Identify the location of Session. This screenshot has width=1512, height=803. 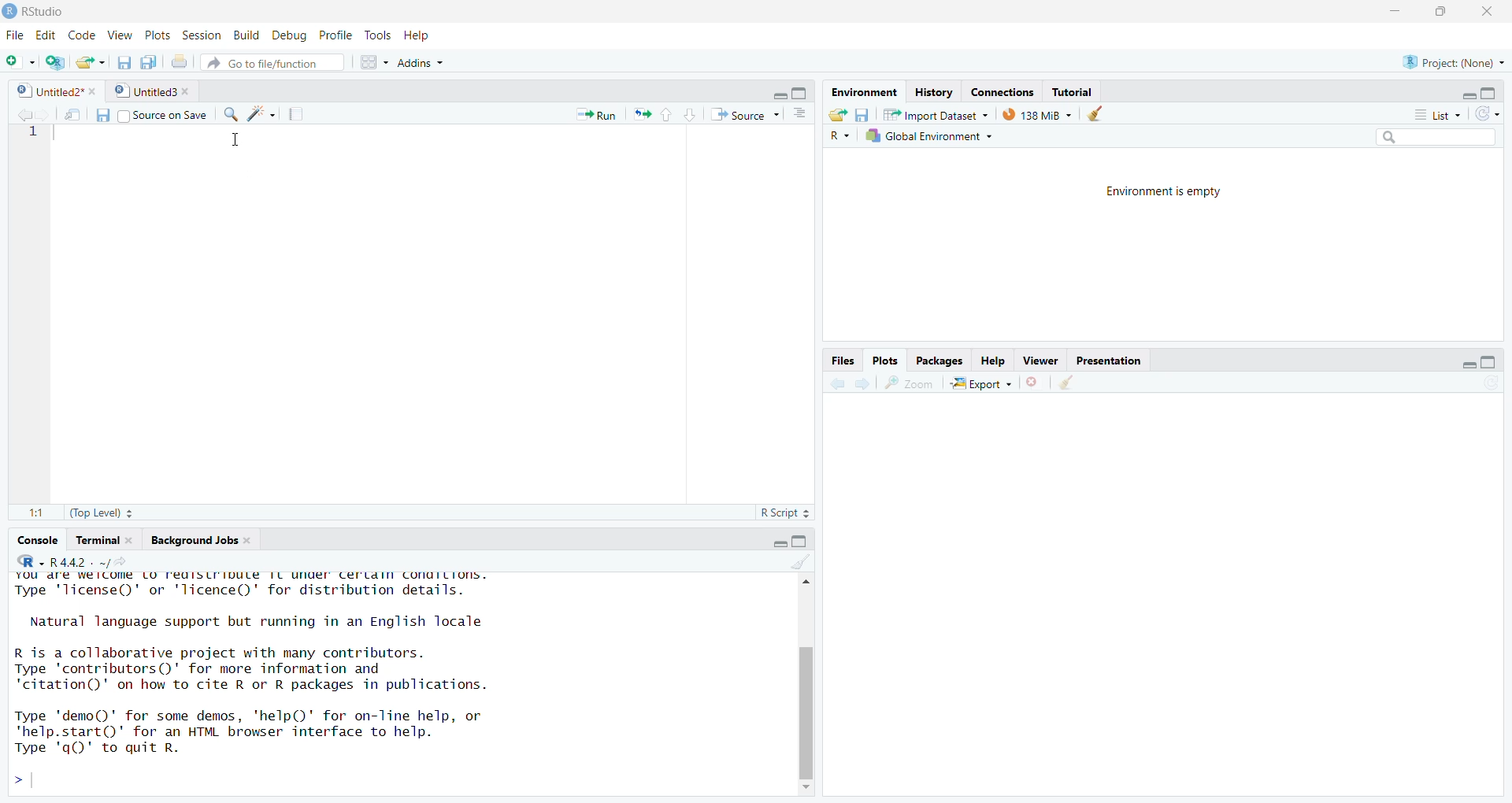
(200, 35).